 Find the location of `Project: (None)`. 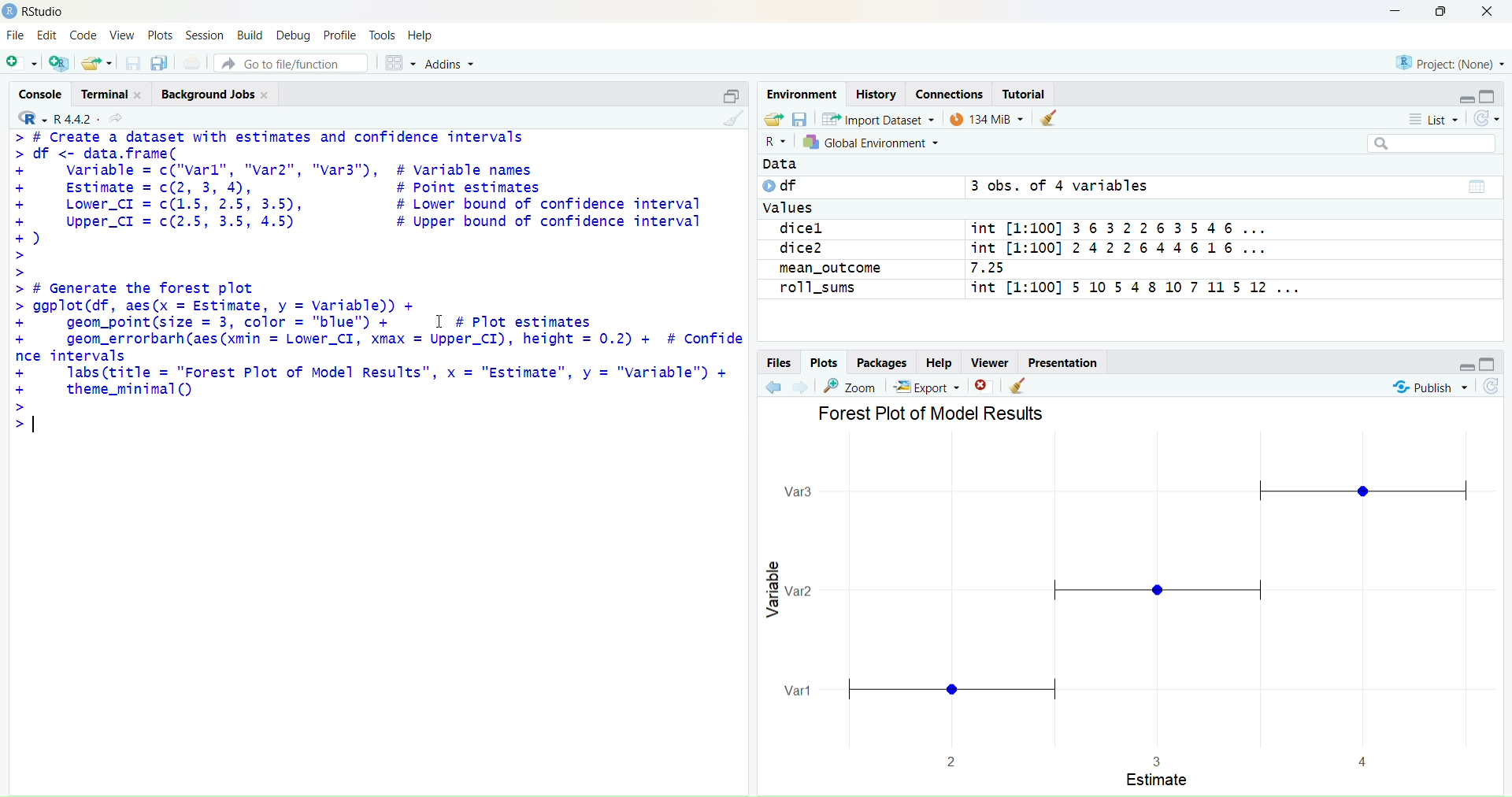

Project: (None) is located at coordinates (1450, 61).